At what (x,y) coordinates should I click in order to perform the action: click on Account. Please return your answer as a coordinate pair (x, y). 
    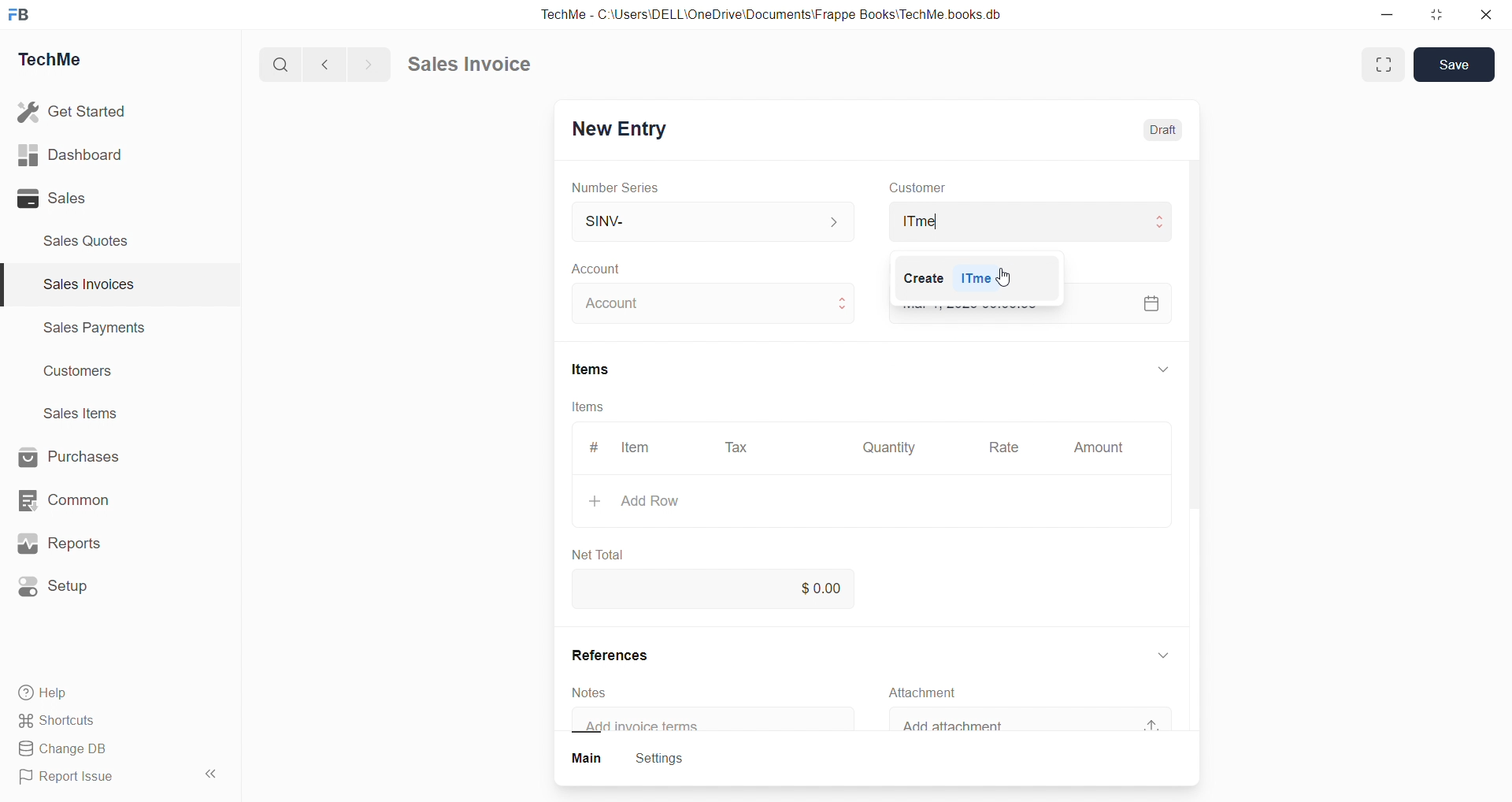
    Looking at the image, I should click on (621, 304).